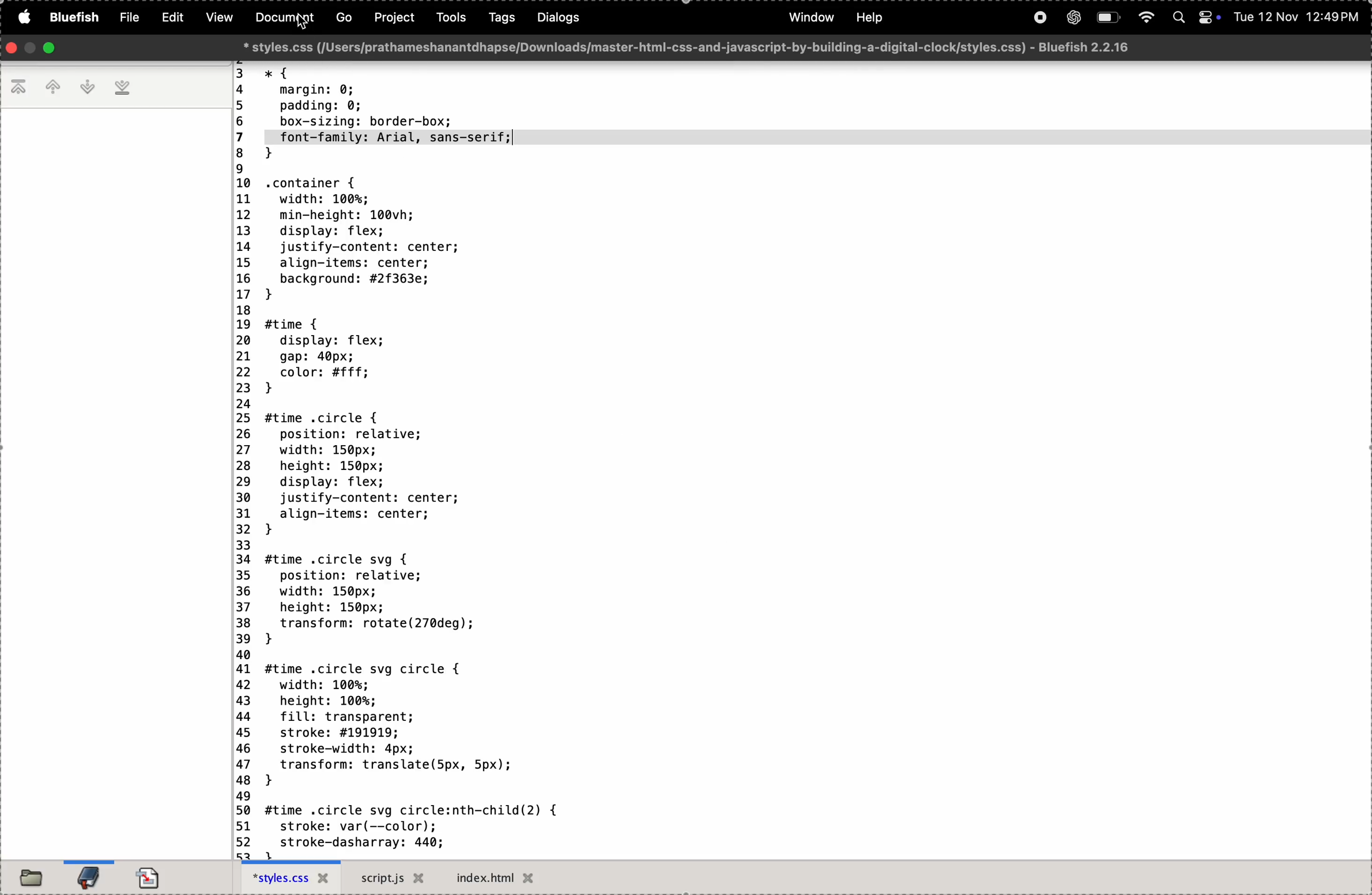  Describe the element at coordinates (1146, 18) in the screenshot. I see `wifi` at that location.